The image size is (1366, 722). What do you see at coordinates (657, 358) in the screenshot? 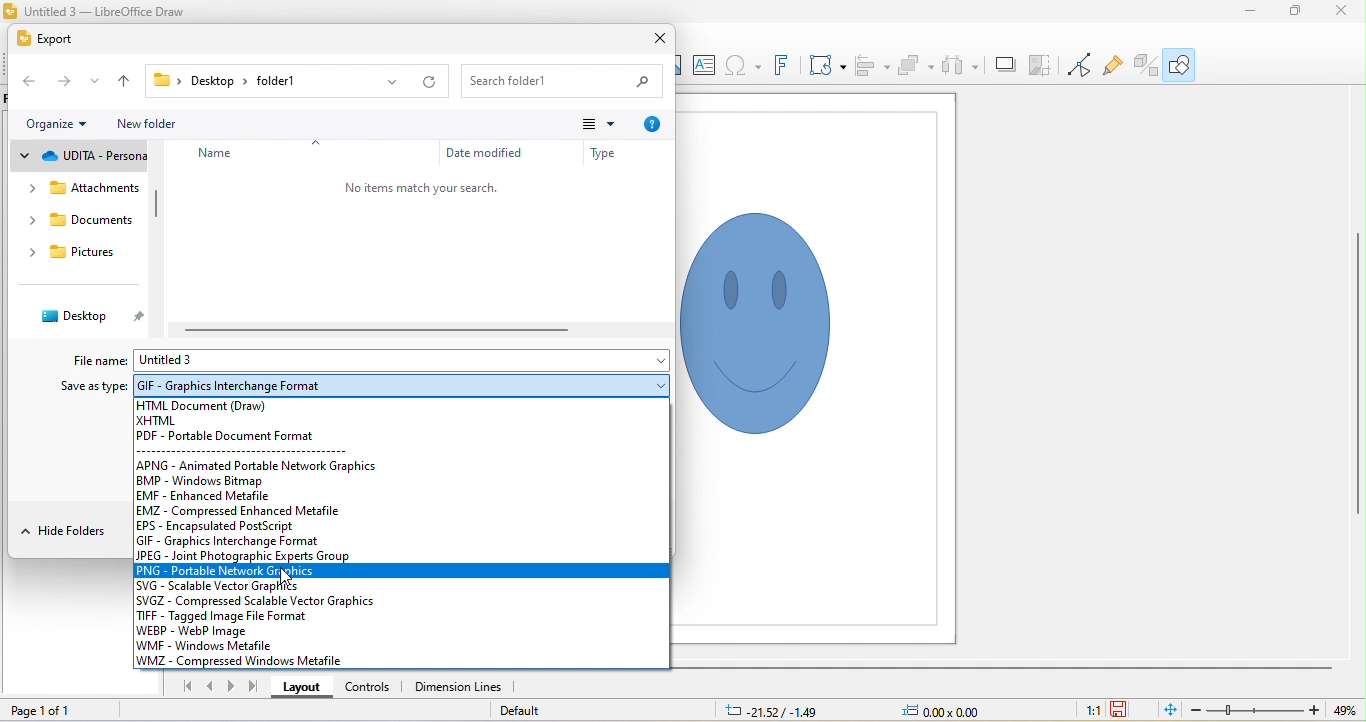
I see `drop down` at bounding box center [657, 358].